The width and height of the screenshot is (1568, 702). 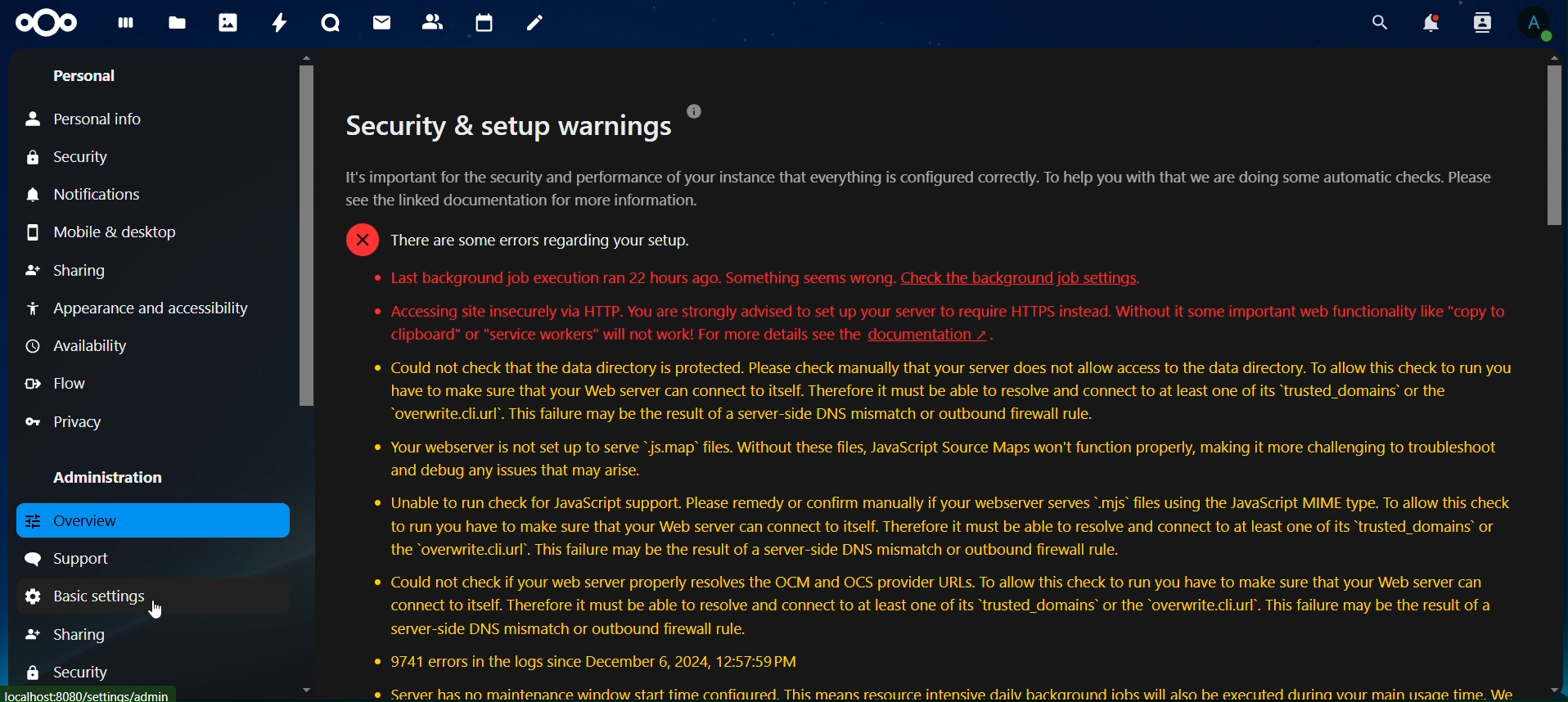 What do you see at coordinates (47, 23) in the screenshot?
I see `icon` at bounding box center [47, 23].